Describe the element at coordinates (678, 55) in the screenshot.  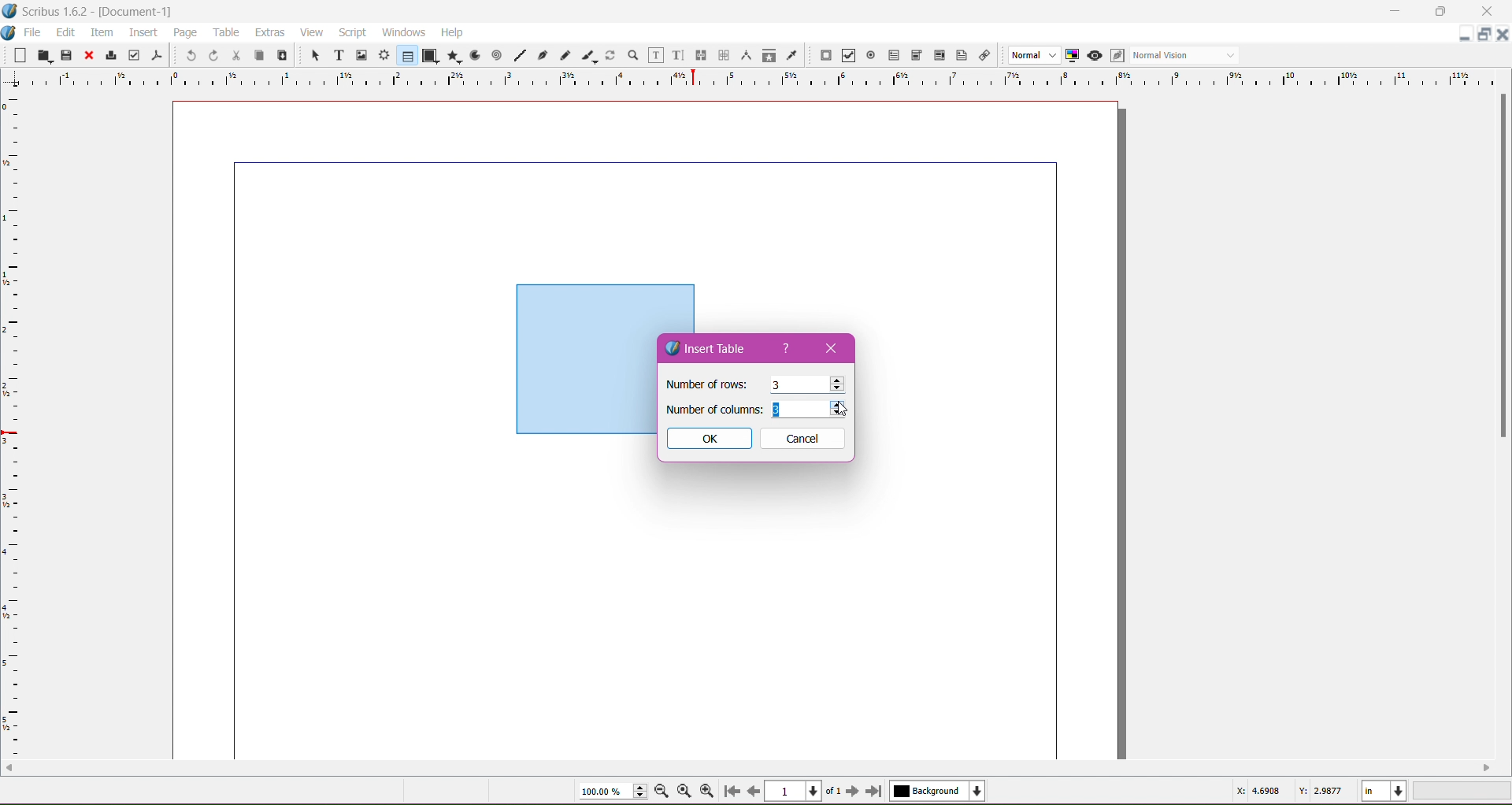
I see `Edit Text with Story` at that location.